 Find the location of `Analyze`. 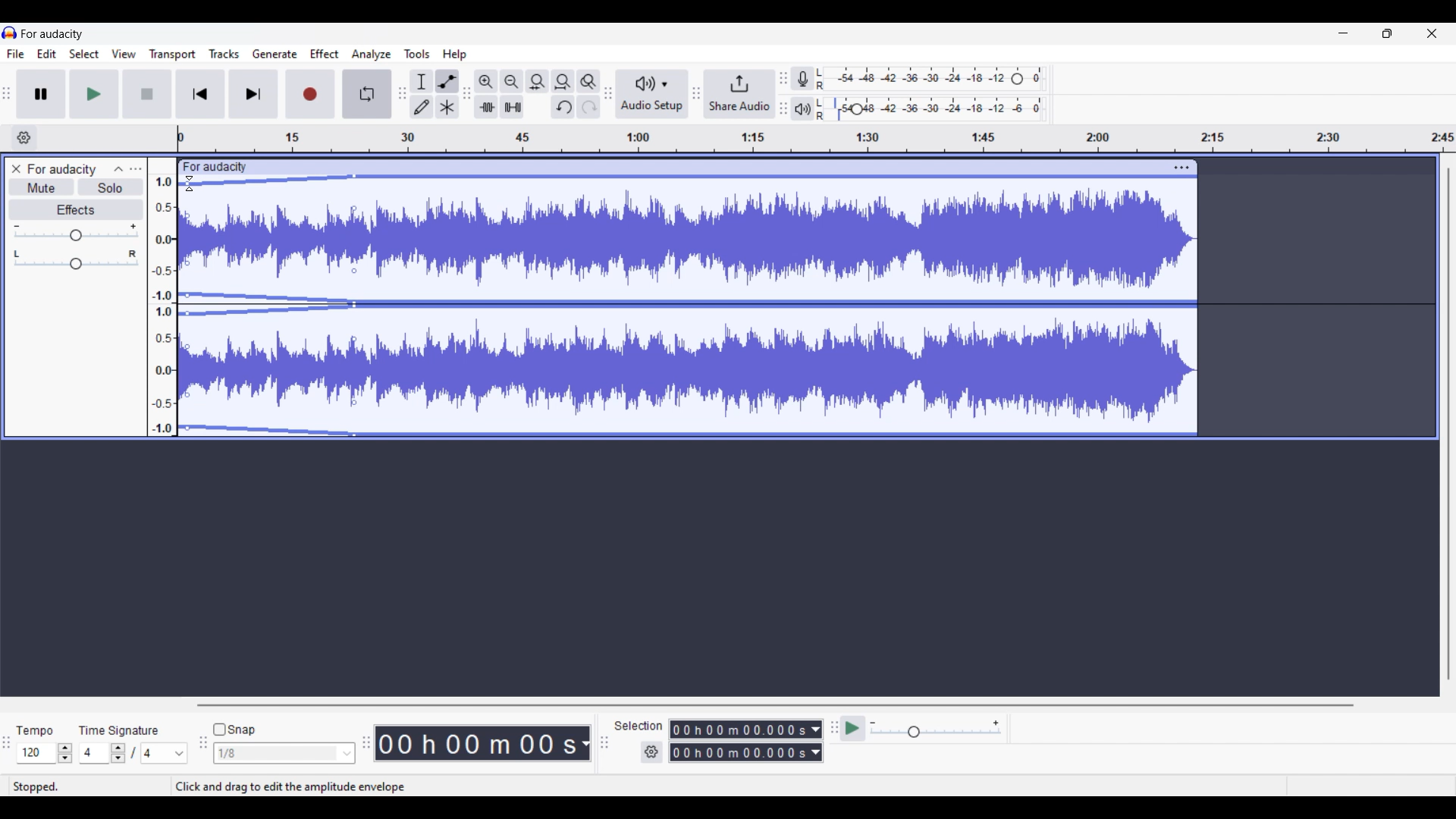

Analyze is located at coordinates (372, 55).